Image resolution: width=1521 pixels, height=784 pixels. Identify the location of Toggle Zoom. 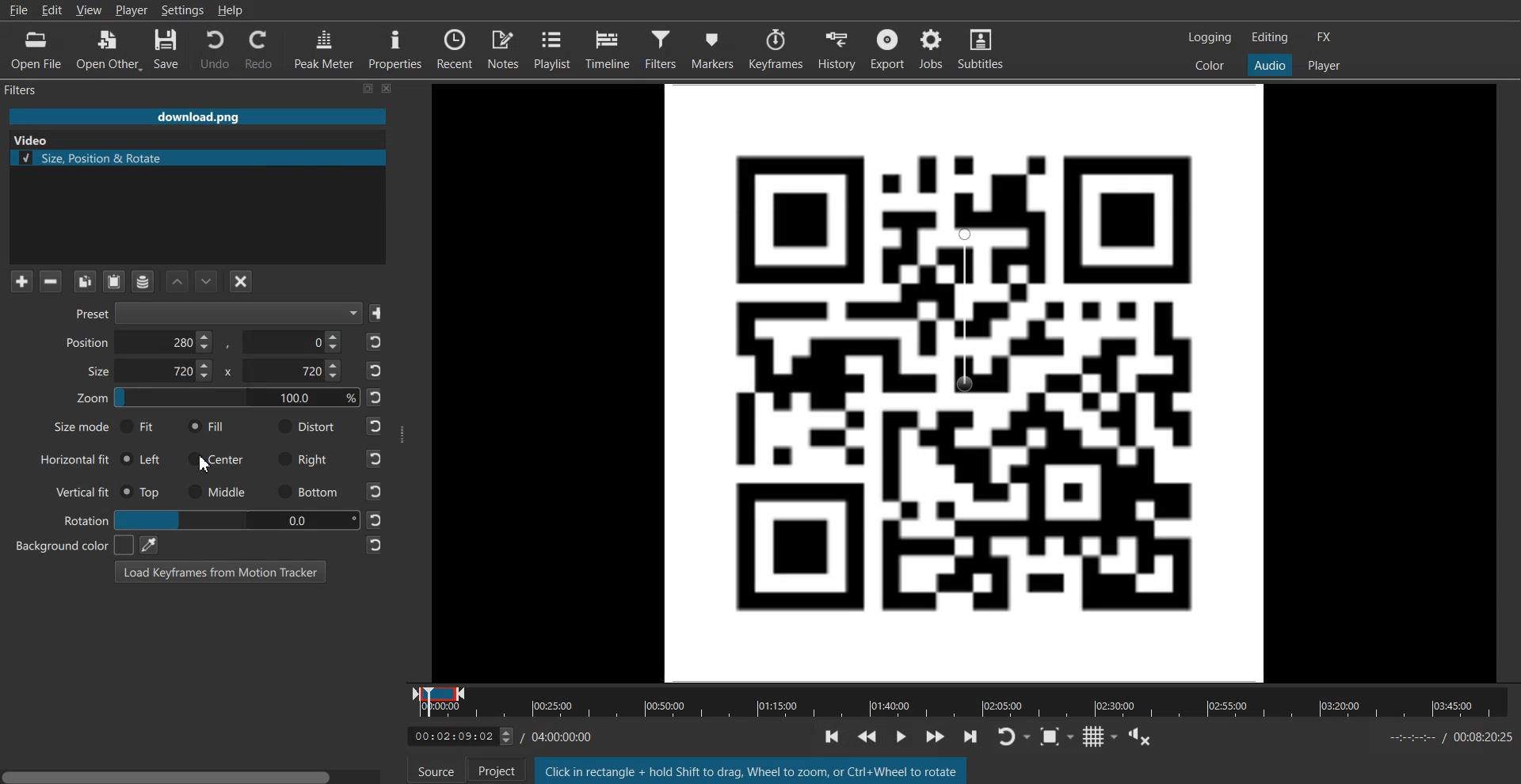
(1059, 740).